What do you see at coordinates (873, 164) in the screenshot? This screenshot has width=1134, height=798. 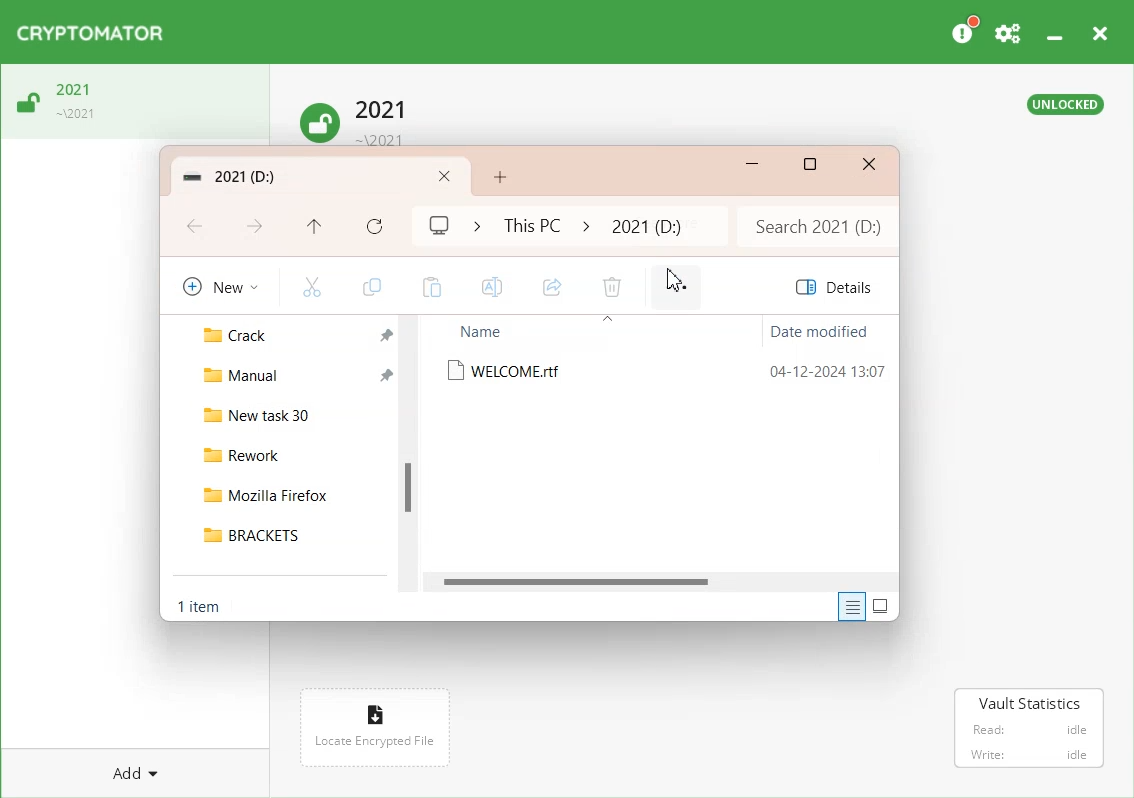 I see `Close` at bounding box center [873, 164].